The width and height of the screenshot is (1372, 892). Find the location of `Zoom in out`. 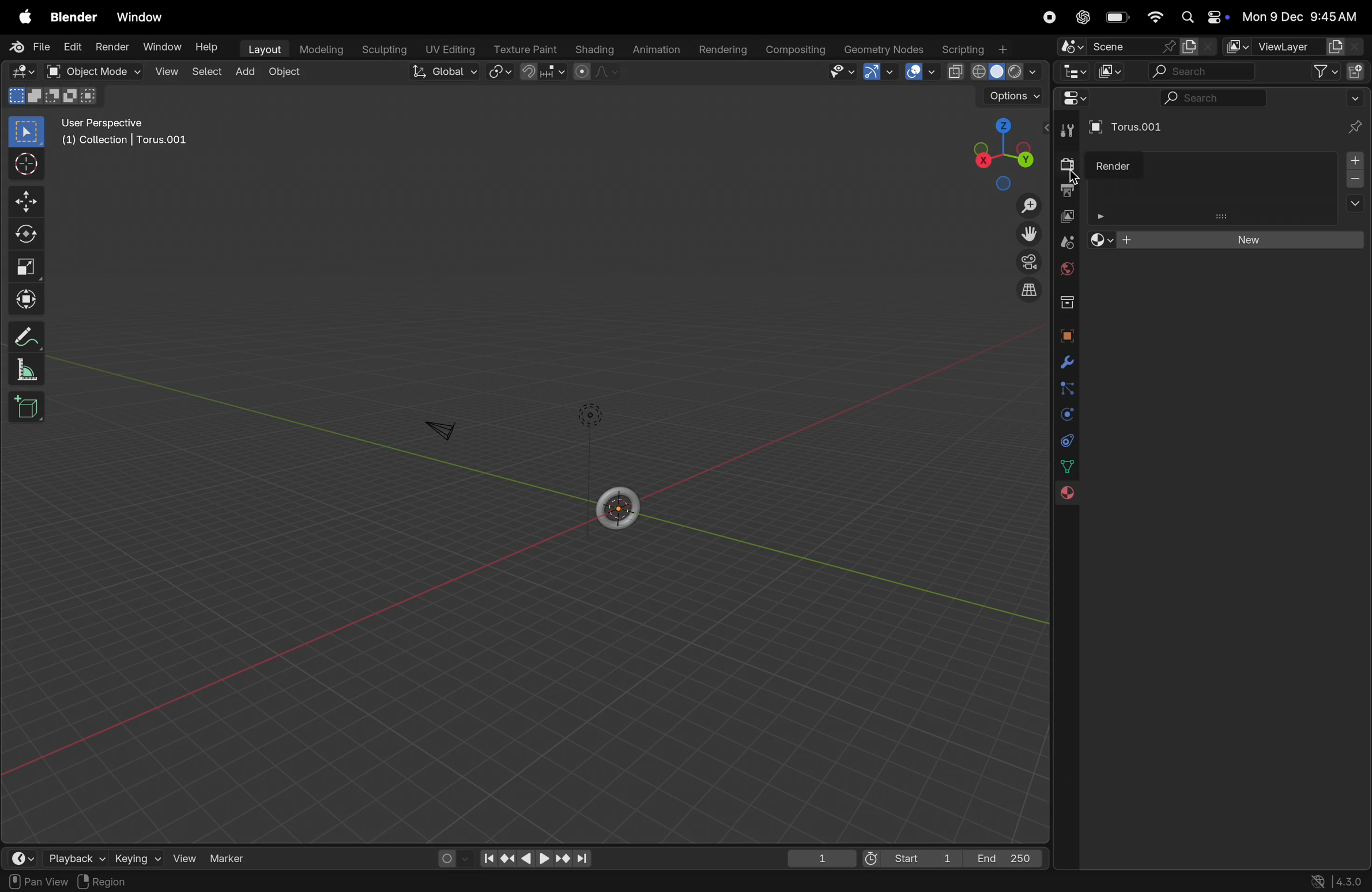

Zoom in out is located at coordinates (1028, 205).